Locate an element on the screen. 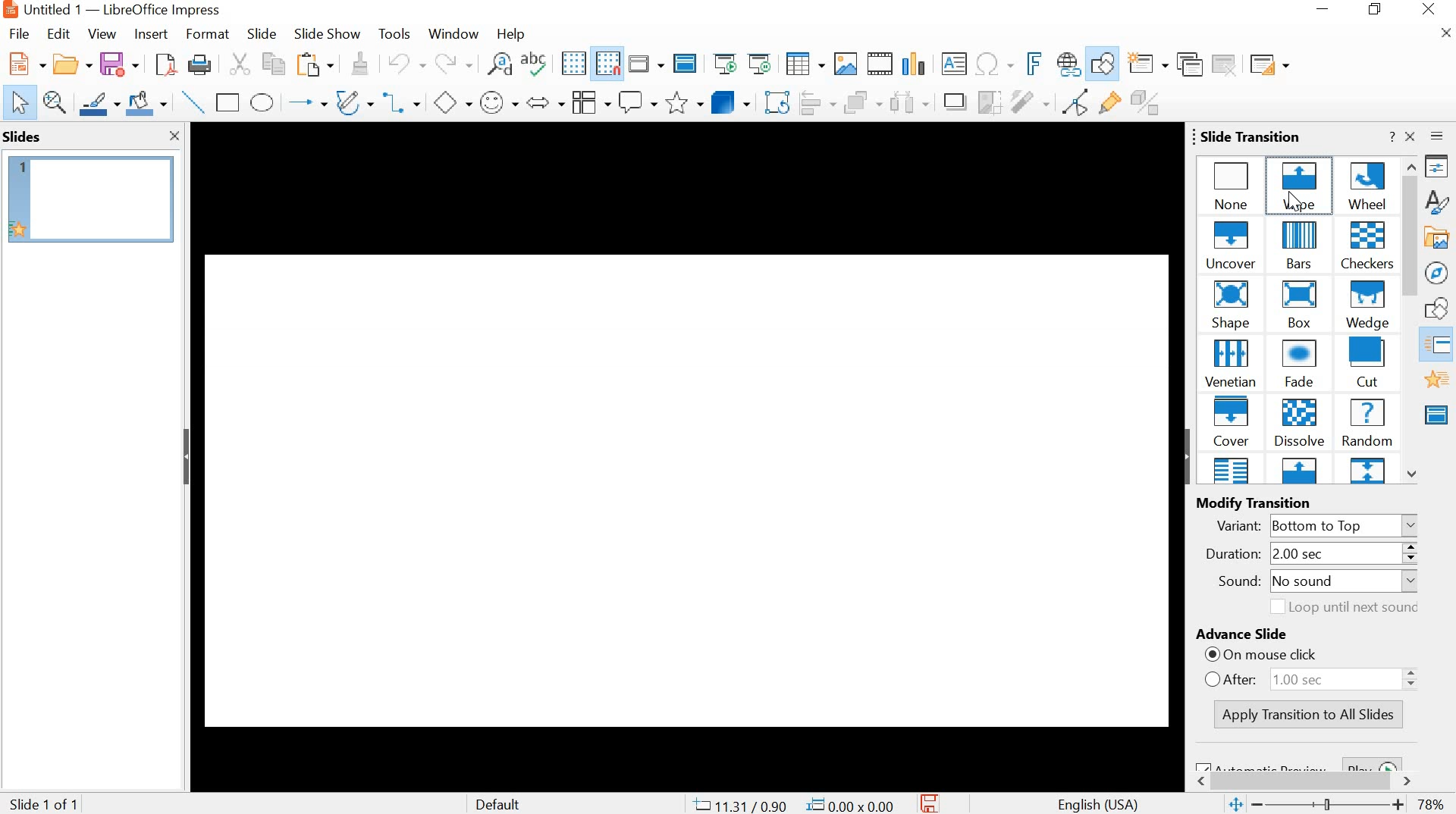 The height and width of the screenshot is (814, 1456). help is located at coordinates (1389, 136).